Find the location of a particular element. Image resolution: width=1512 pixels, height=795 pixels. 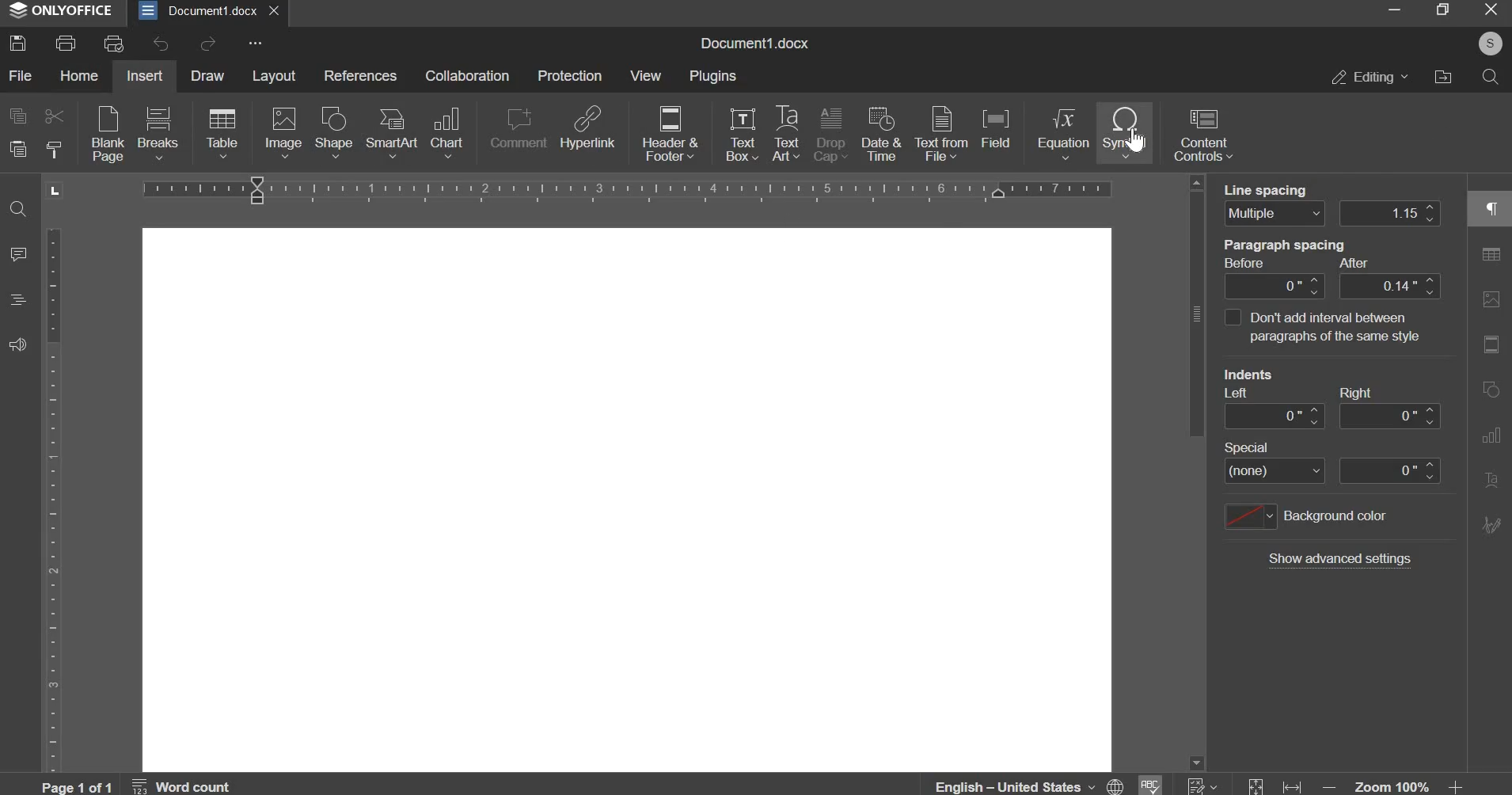

exit is located at coordinates (272, 10).